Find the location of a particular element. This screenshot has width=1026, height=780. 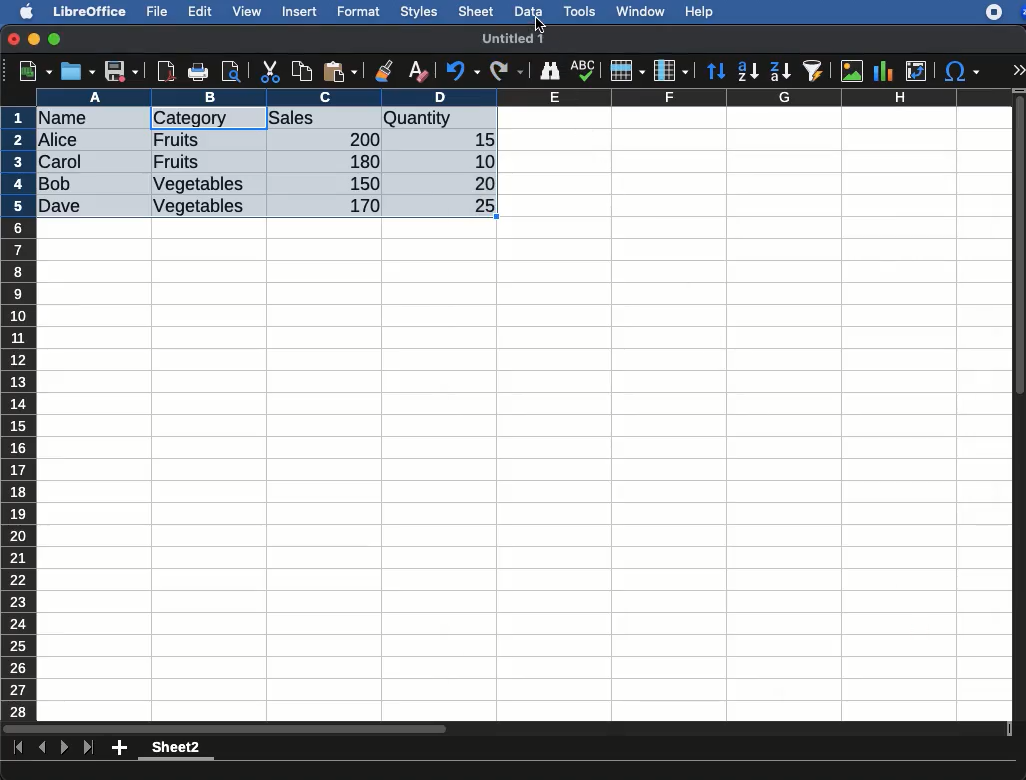

clone formatting is located at coordinates (384, 72).